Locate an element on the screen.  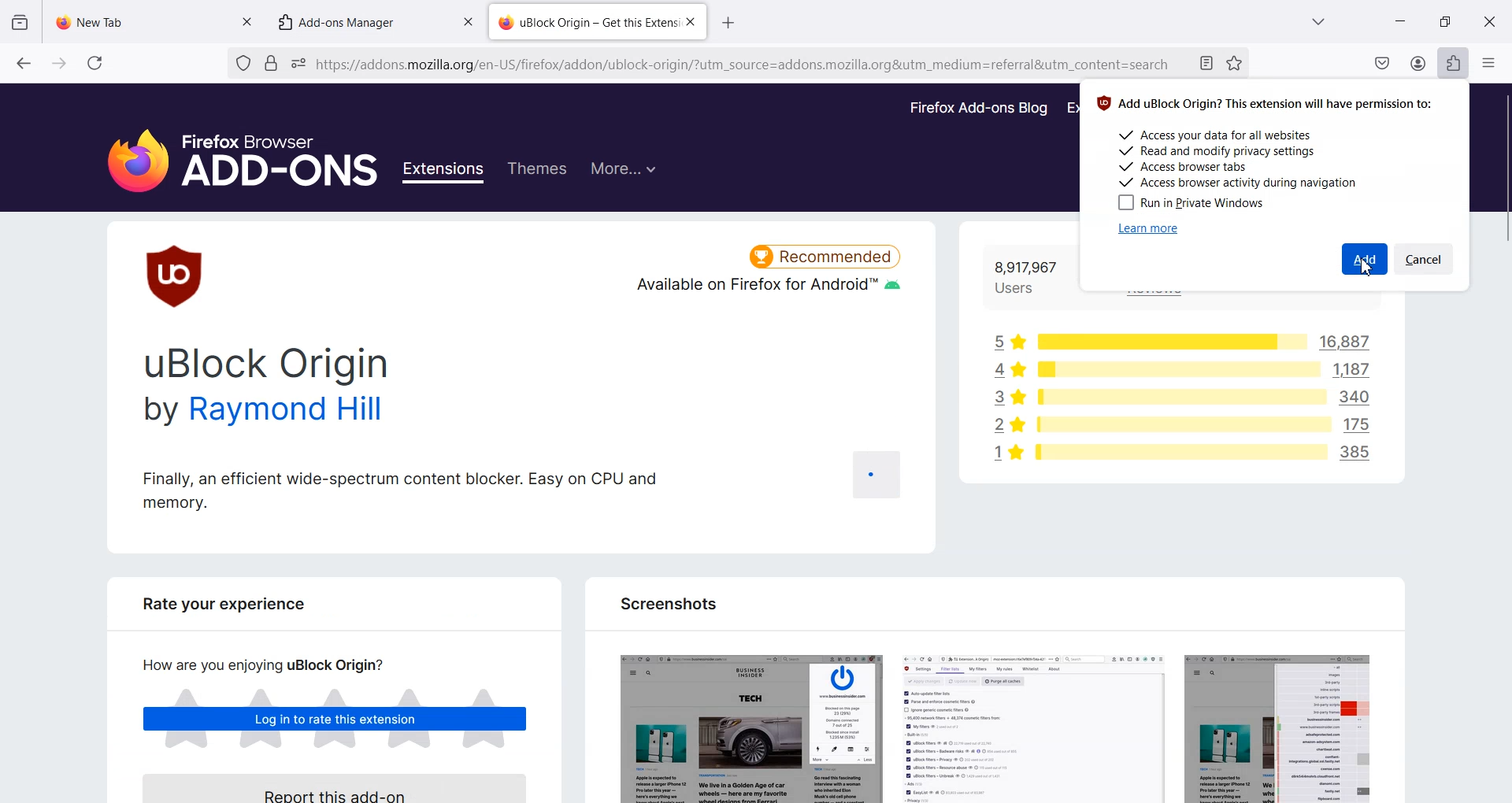
No trackers known to Firefox is located at coordinates (241, 64).